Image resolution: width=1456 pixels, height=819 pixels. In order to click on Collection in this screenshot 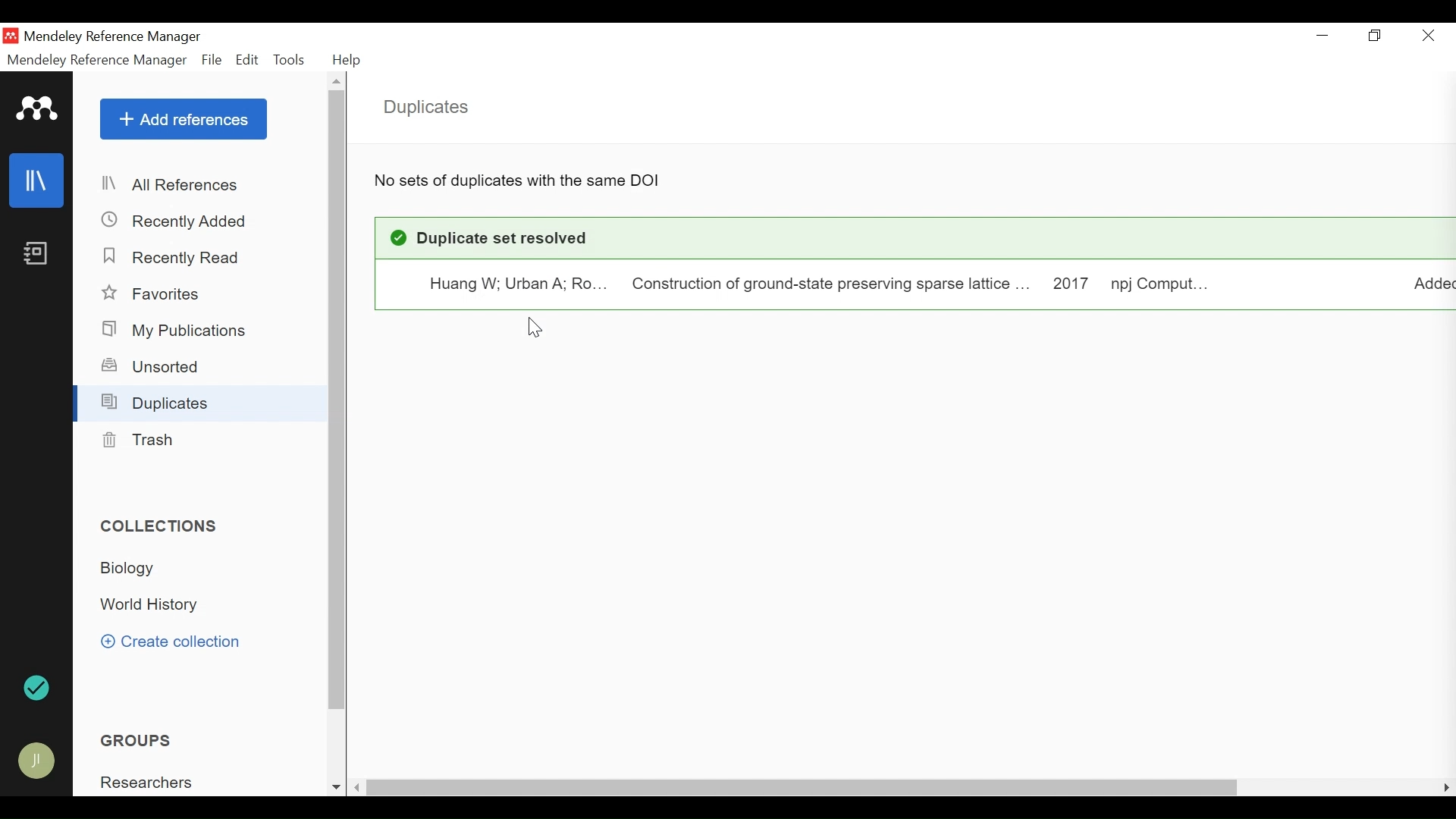, I will do `click(155, 605)`.